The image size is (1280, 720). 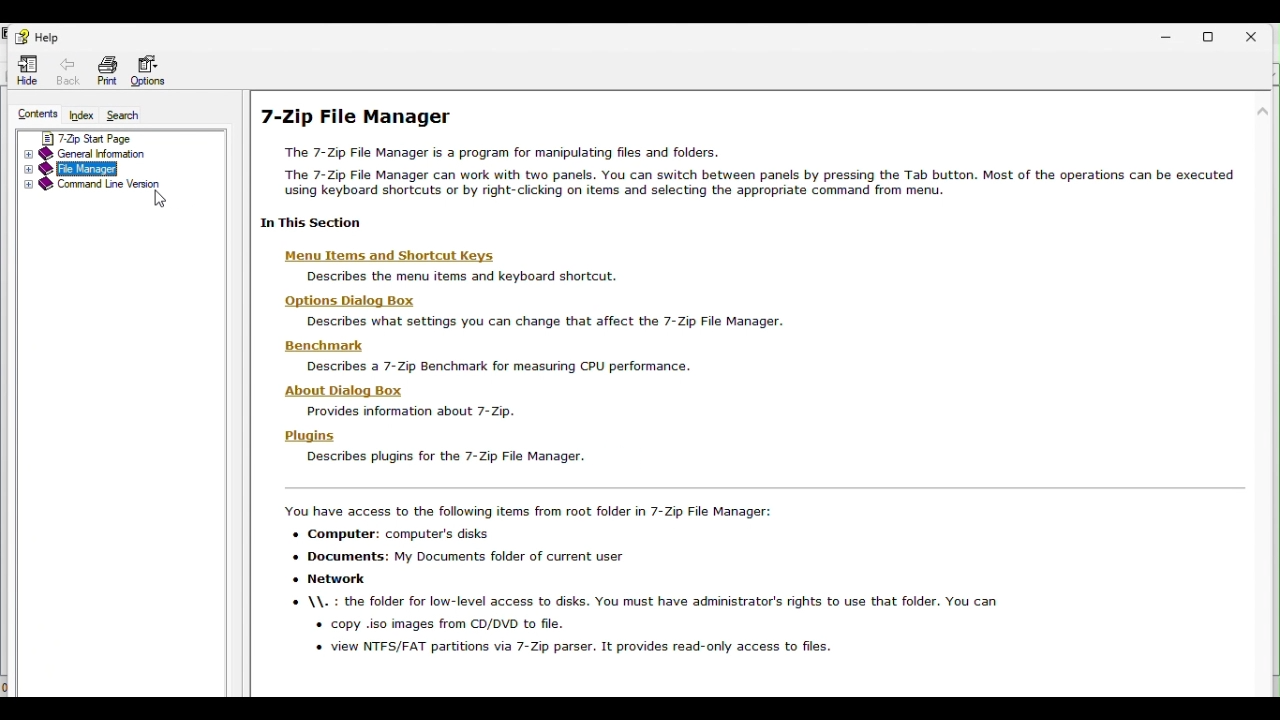 What do you see at coordinates (371, 391) in the screenshot?
I see `‘About Dialog Box` at bounding box center [371, 391].